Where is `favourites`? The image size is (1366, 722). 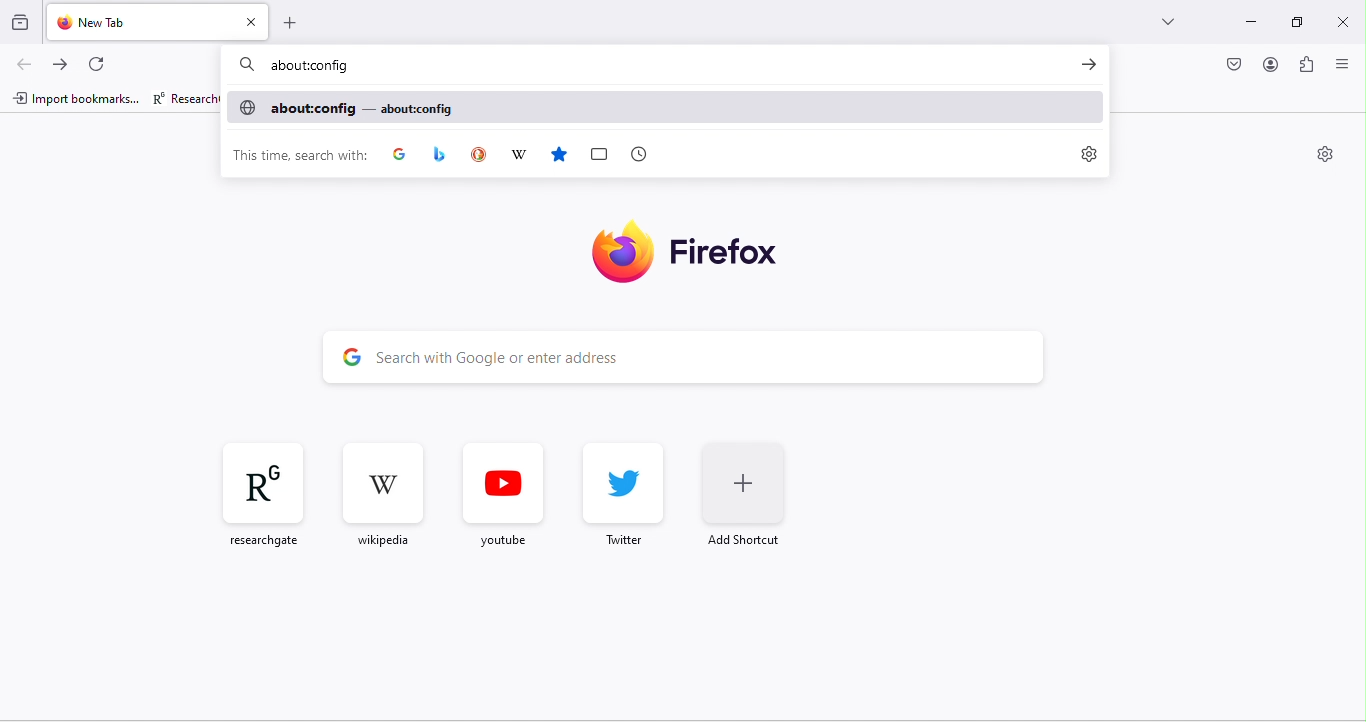
favourites is located at coordinates (559, 150).